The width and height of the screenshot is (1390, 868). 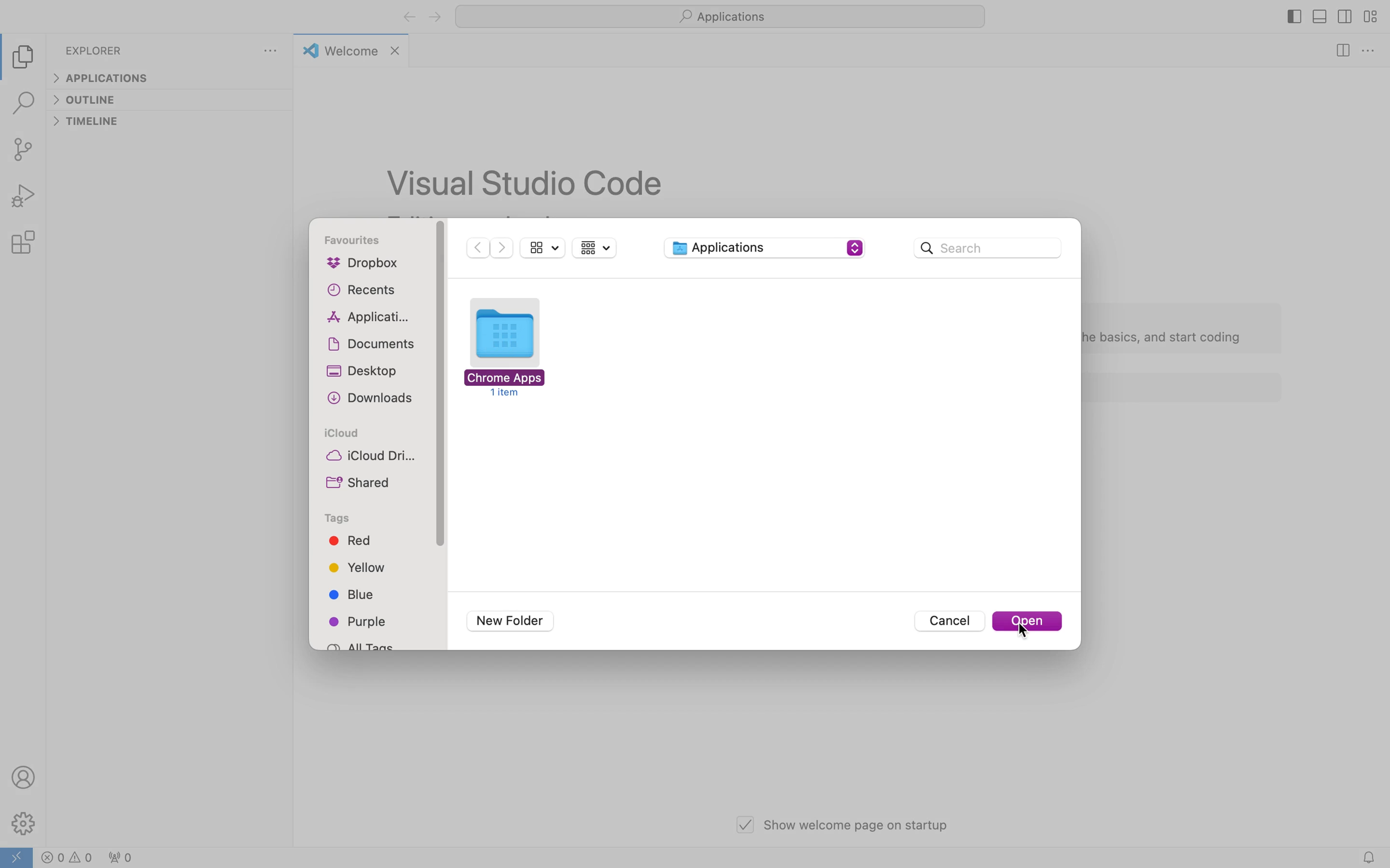 I want to click on search, so click(x=24, y=105).